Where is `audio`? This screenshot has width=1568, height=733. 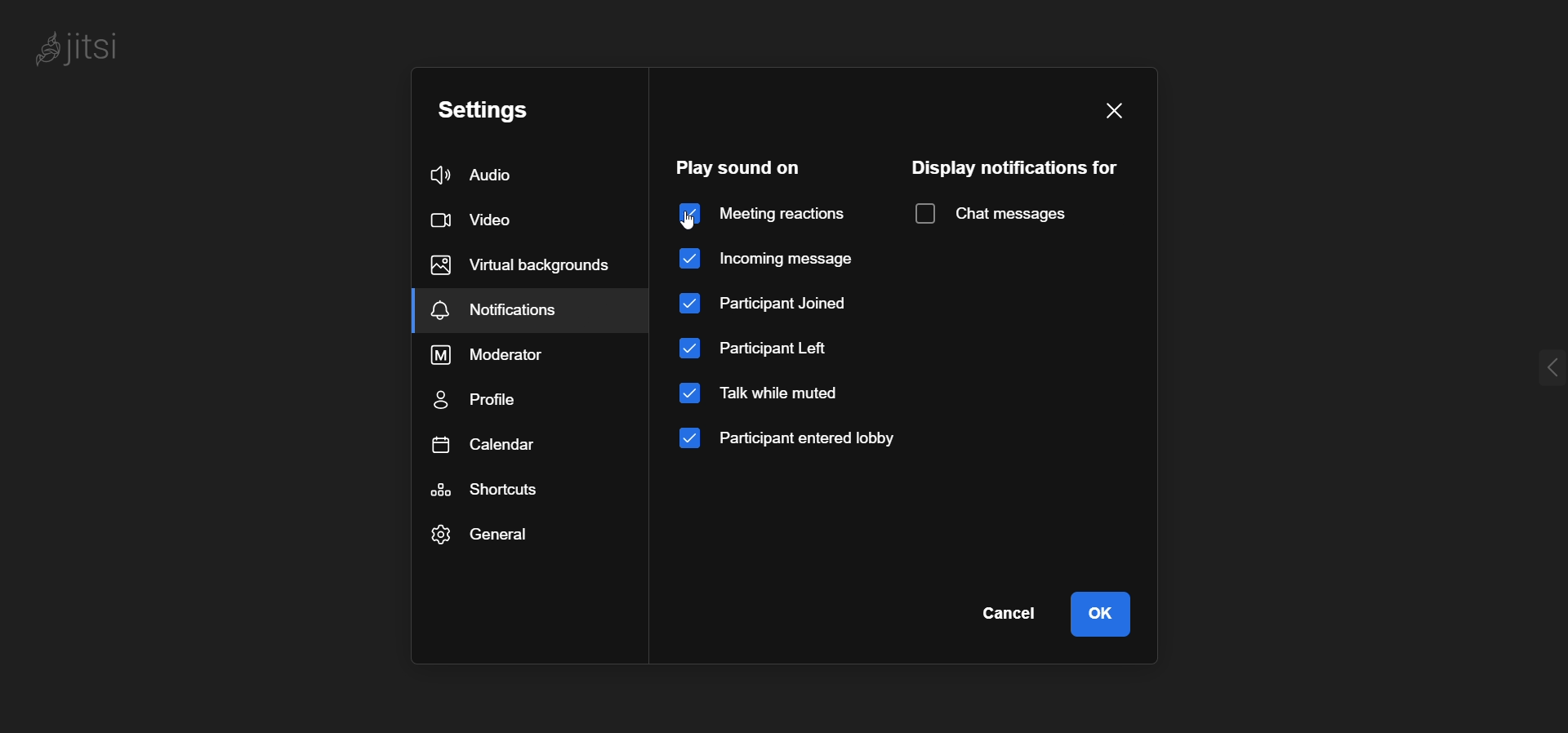
audio is located at coordinates (475, 174).